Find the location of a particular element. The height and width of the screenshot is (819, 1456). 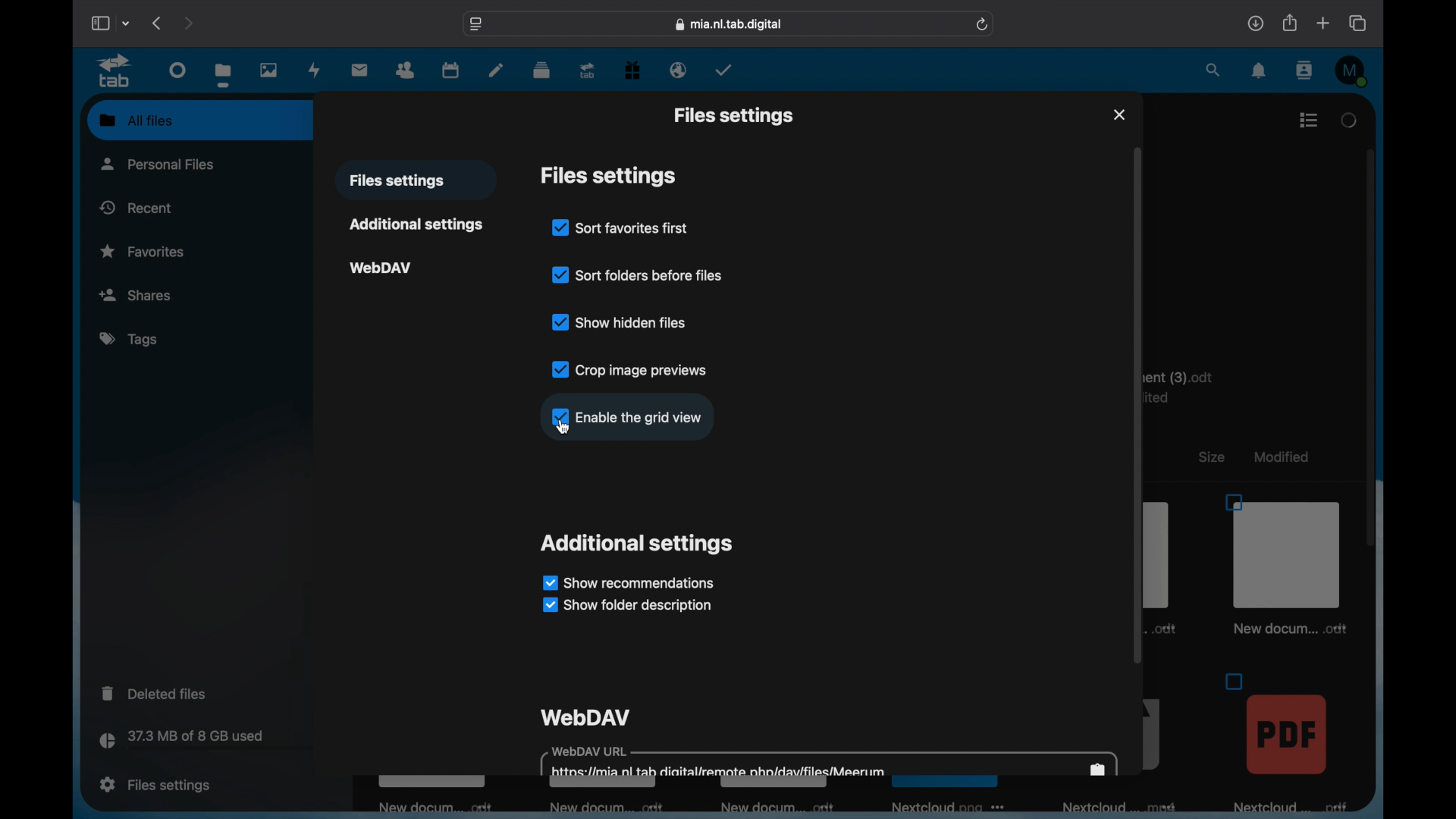

size is located at coordinates (1210, 457).